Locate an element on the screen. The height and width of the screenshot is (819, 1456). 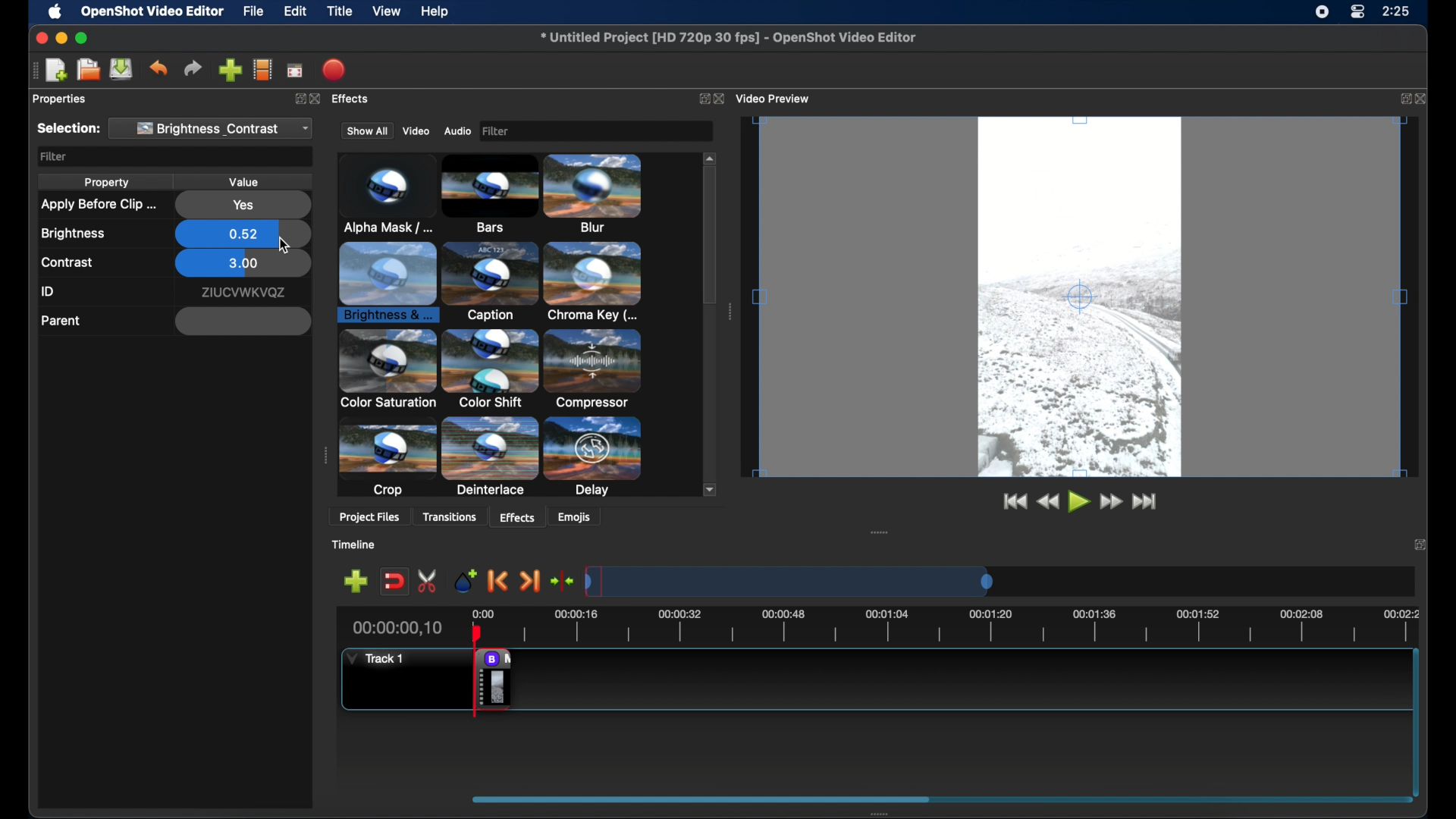
maximize is located at coordinates (83, 38).